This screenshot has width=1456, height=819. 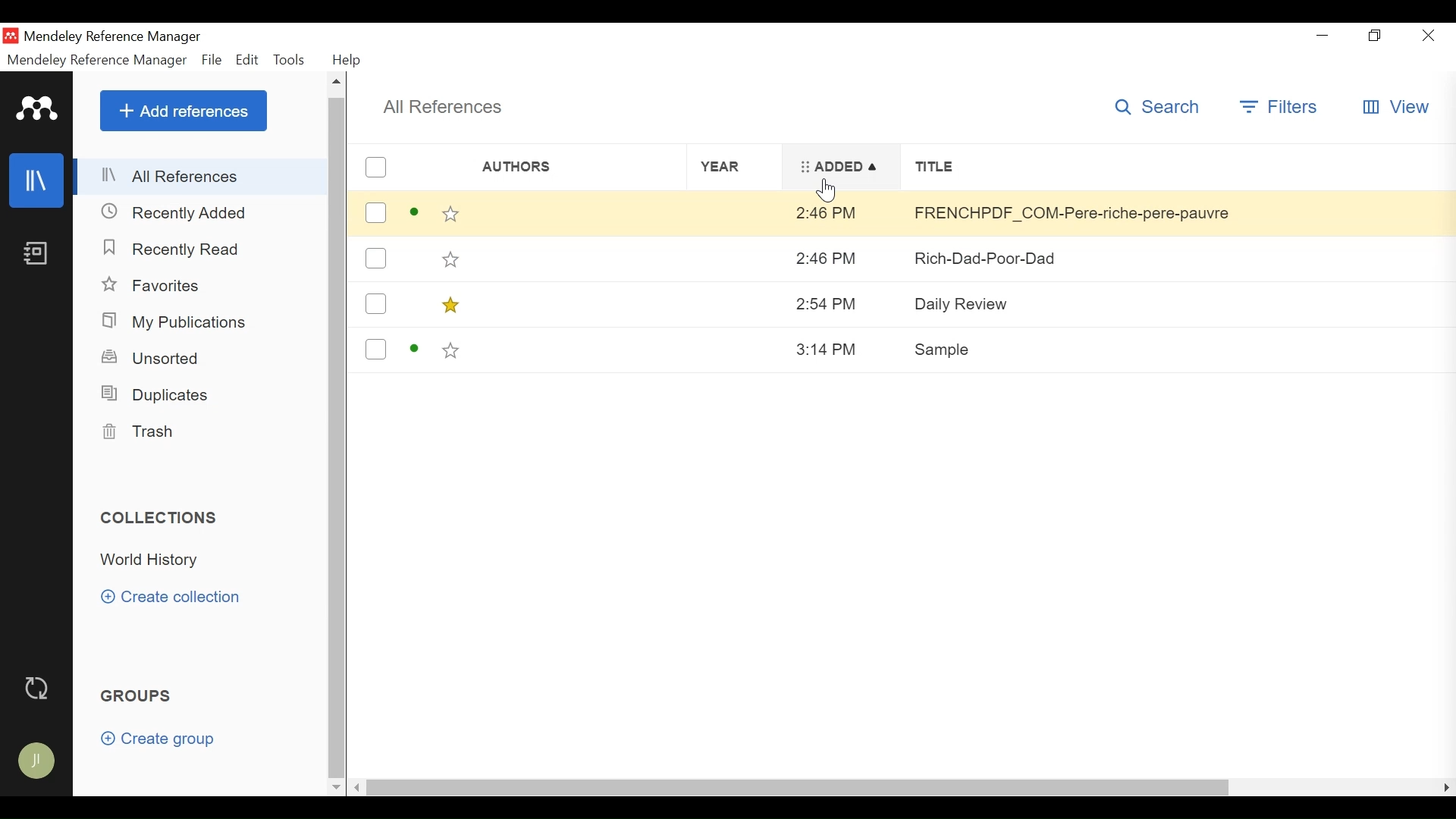 What do you see at coordinates (839, 257) in the screenshot?
I see `2:46 PM` at bounding box center [839, 257].